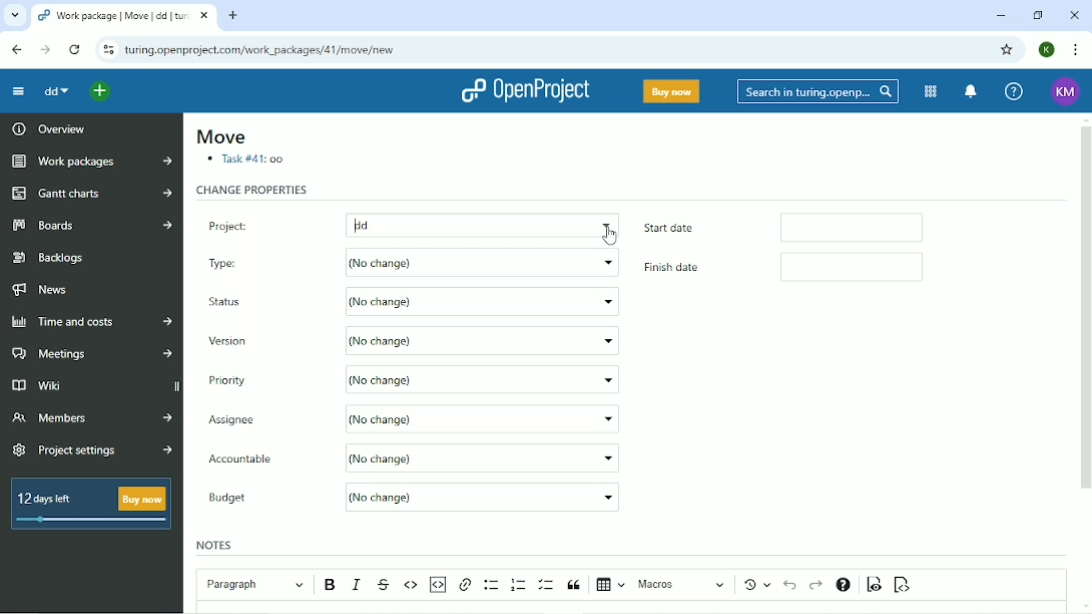  I want to click on Bold, so click(332, 585).